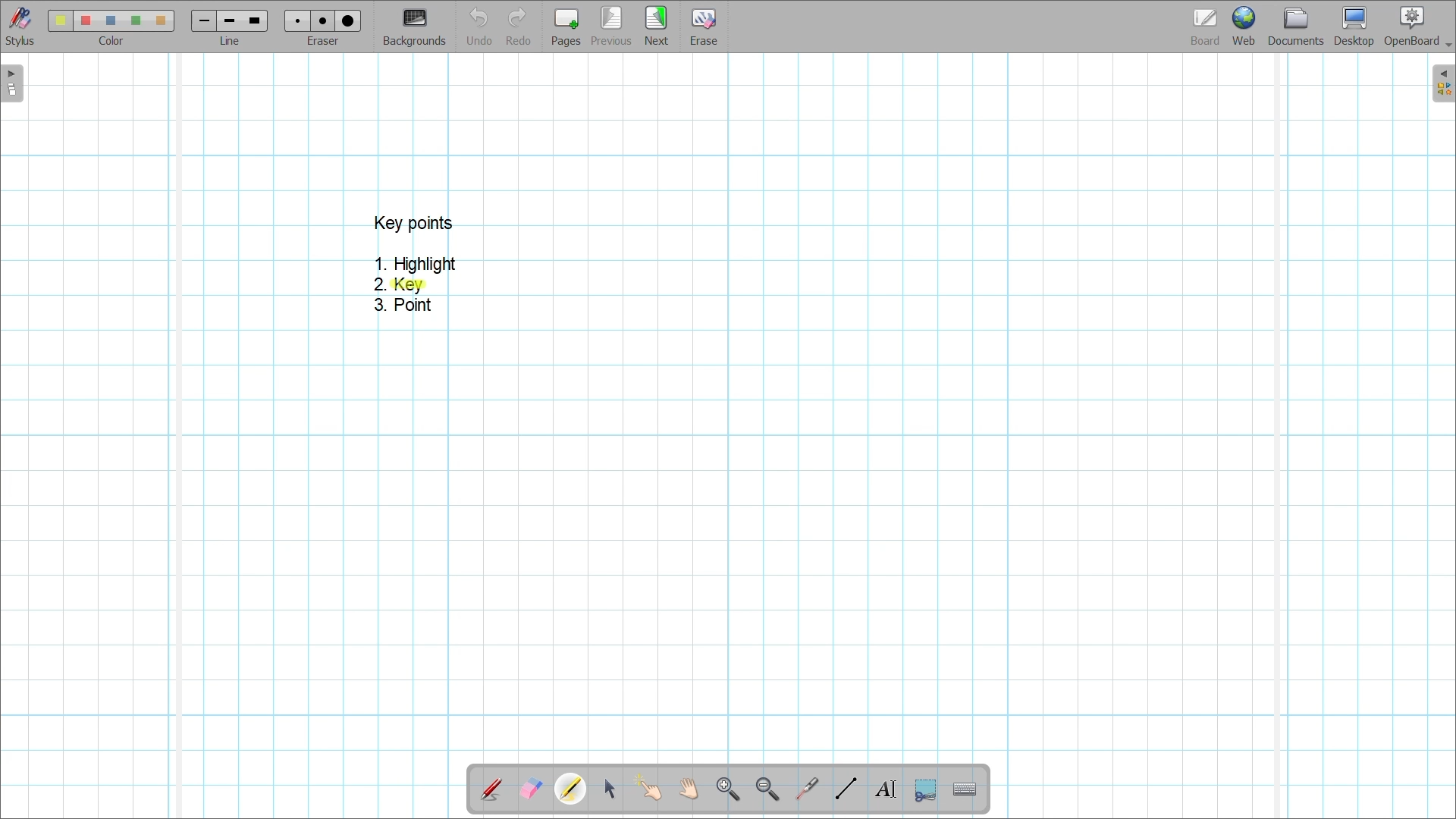 The width and height of the screenshot is (1456, 819). What do you see at coordinates (613, 26) in the screenshot?
I see `Go to previous page` at bounding box center [613, 26].